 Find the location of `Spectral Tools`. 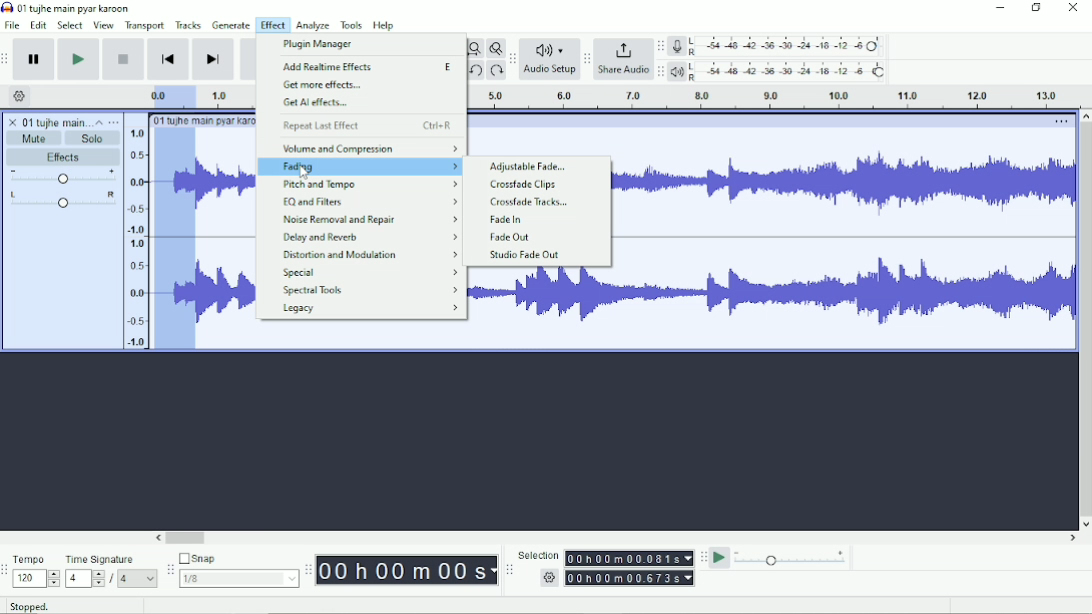

Spectral Tools is located at coordinates (368, 290).